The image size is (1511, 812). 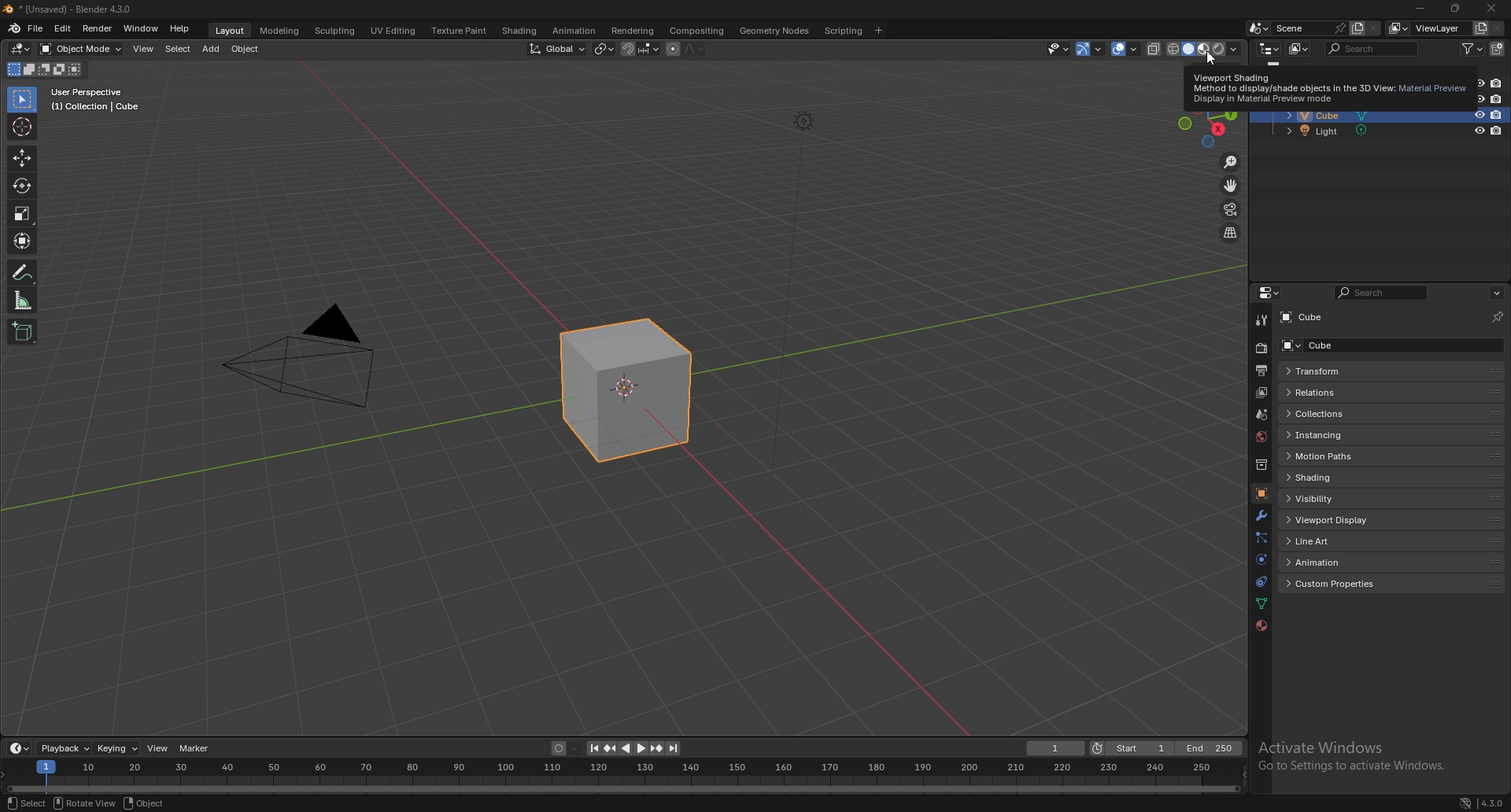 I want to click on view, so click(x=143, y=50).